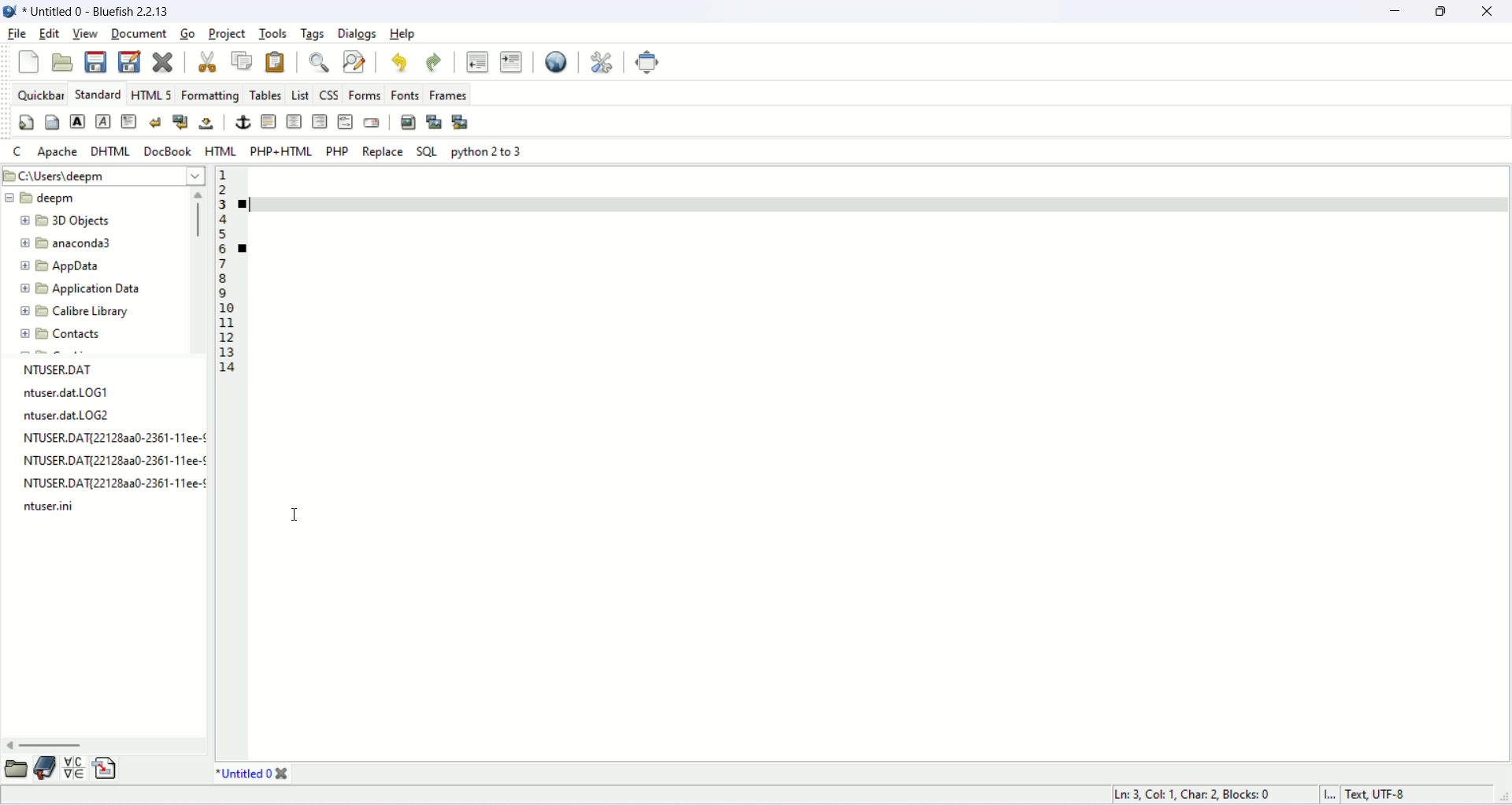 This screenshot has height=805, width=1512. I want to click on strong, so click(76, 123).